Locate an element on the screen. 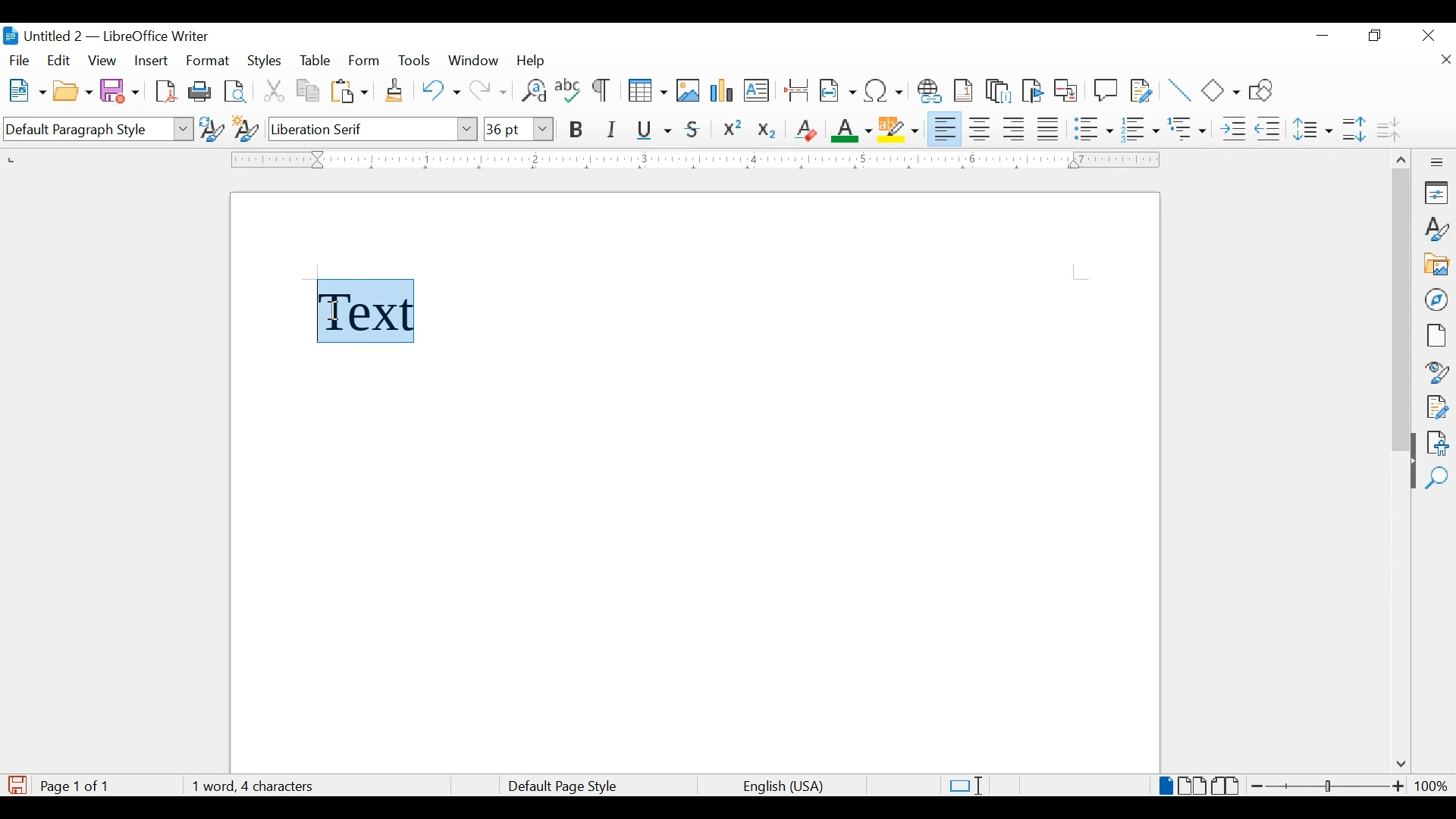 Image resolution: width=1456 pixels, height=819 pixels. justify is located at coordinates (1049, 129).